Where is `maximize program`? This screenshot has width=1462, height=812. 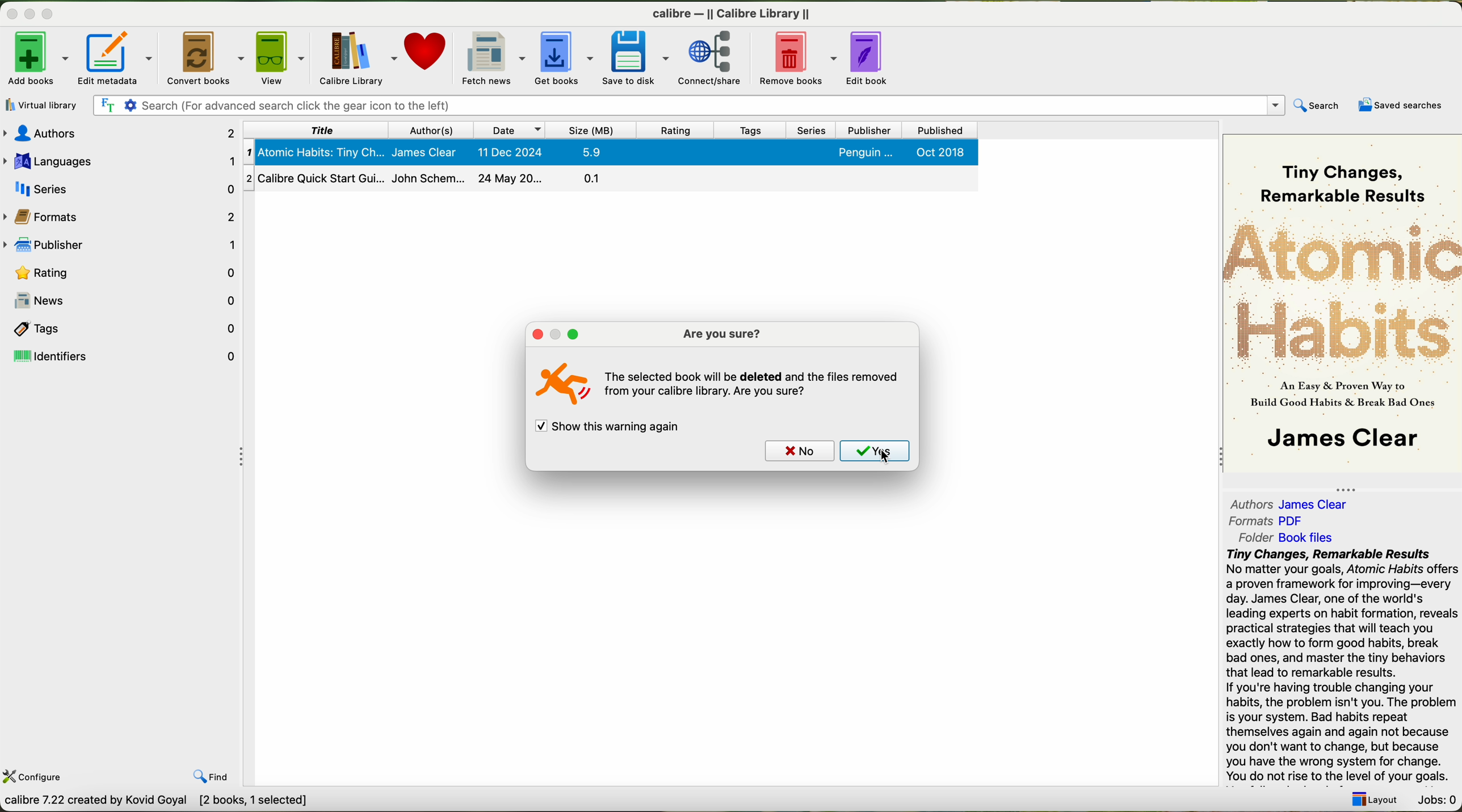 maximize program is located at coordinates (50, 11).